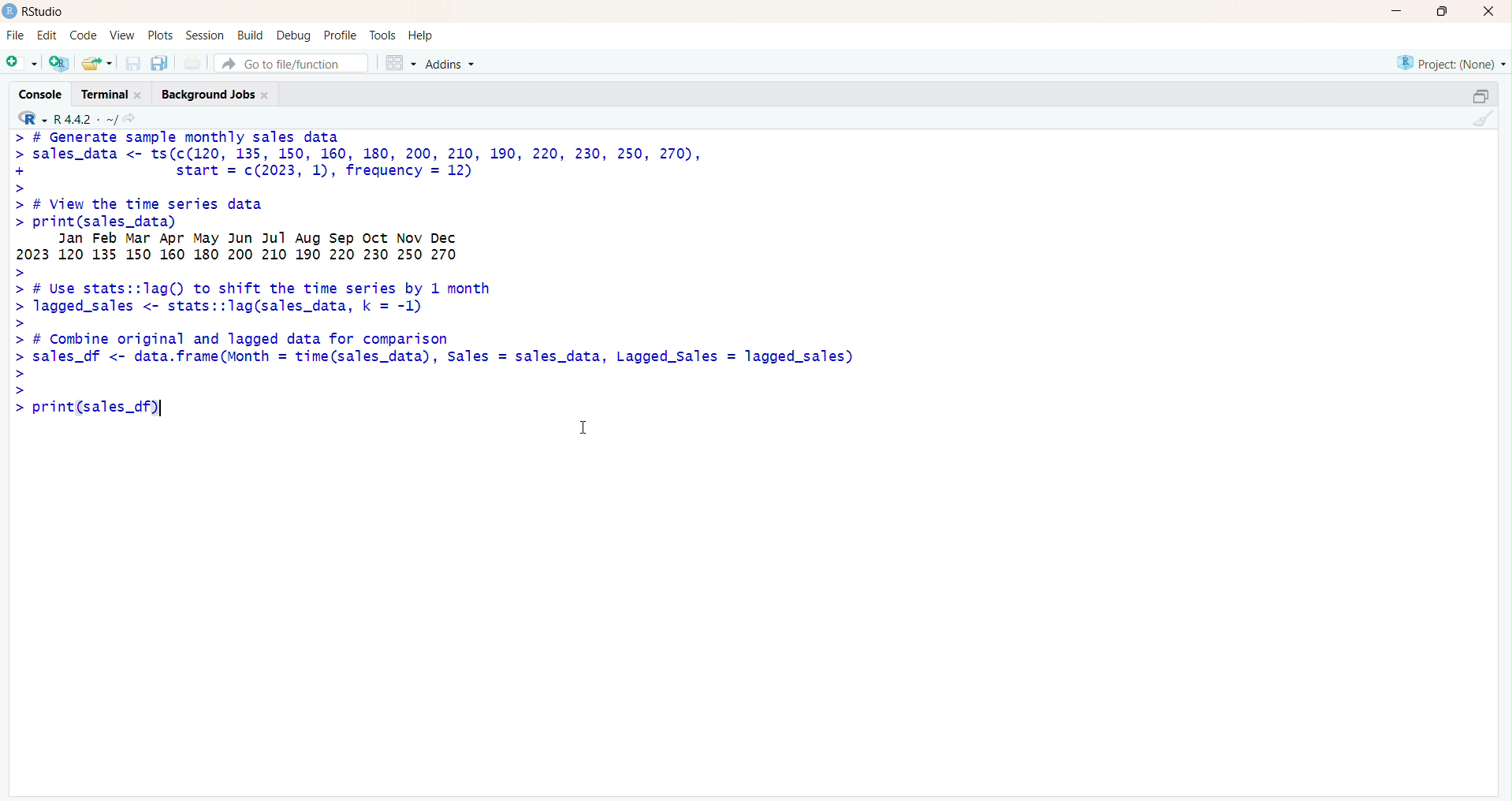 The width and height of the screenshot is (1512, 801). What do you see at coordinates (1449, 61) in the screenshot?
I see `project (none)` at bounding box center [1449, 61].